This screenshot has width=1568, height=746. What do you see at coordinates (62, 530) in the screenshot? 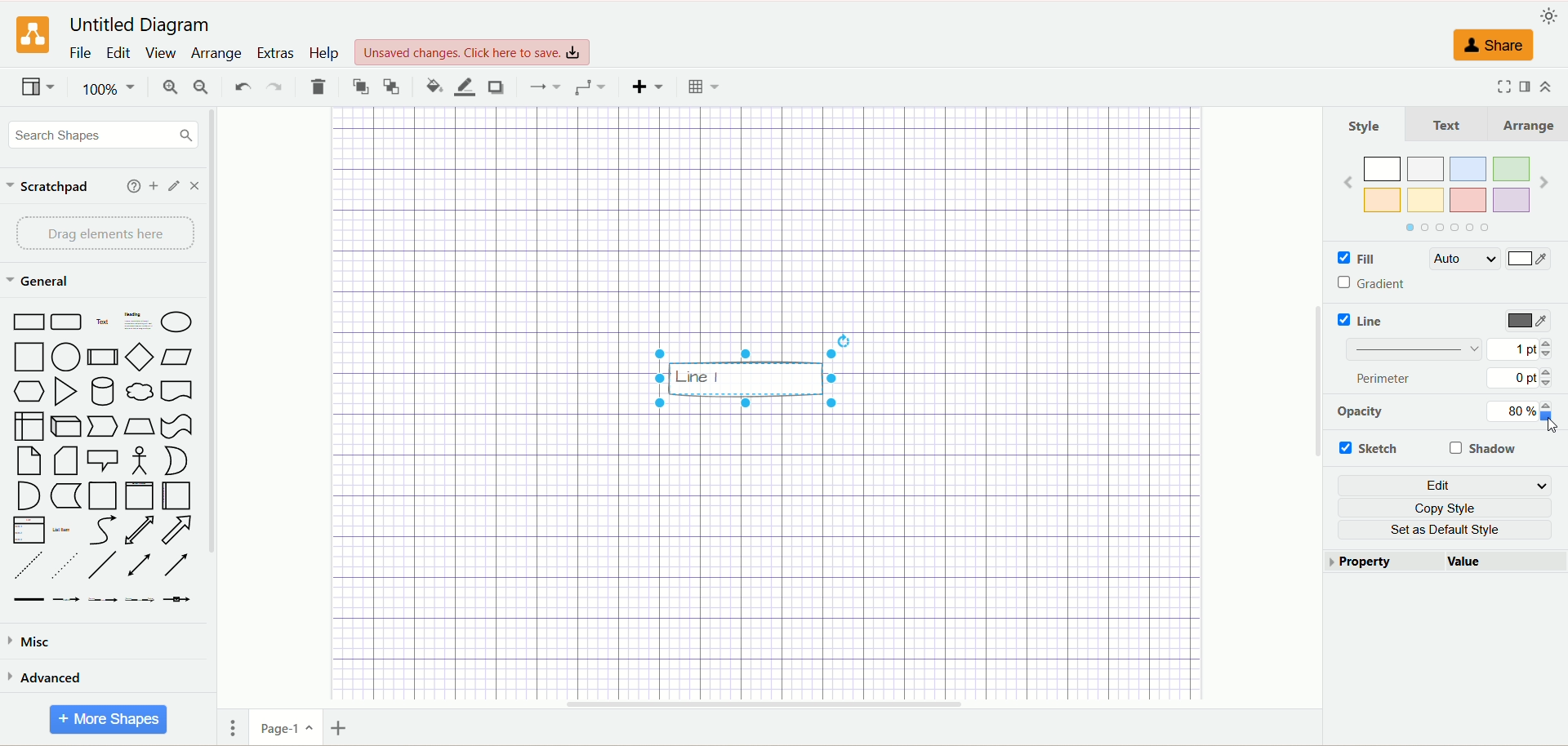
I see `List item` at bounding box center [62, 530].